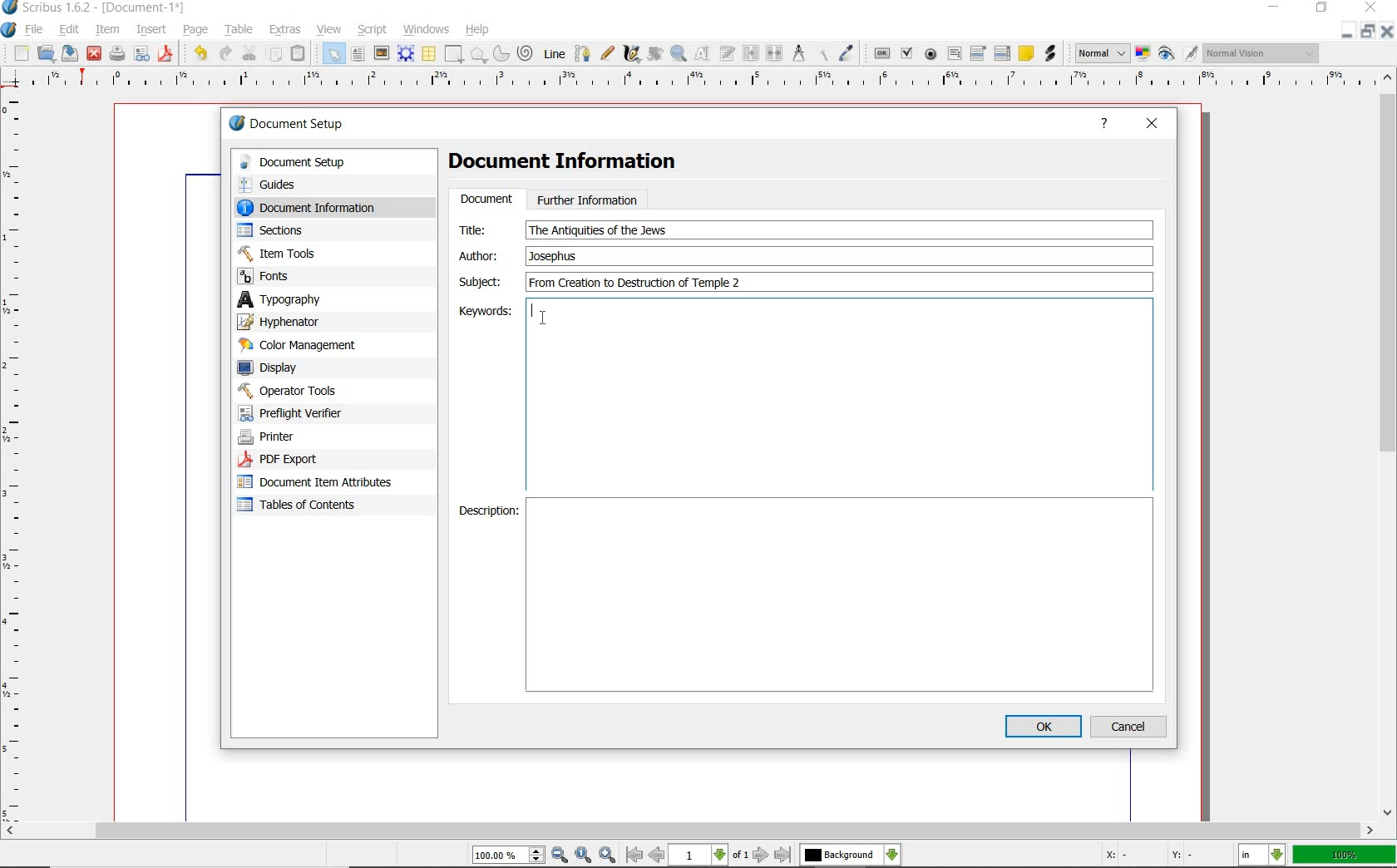  I want to click on pdf combo box, so click(979, 54).